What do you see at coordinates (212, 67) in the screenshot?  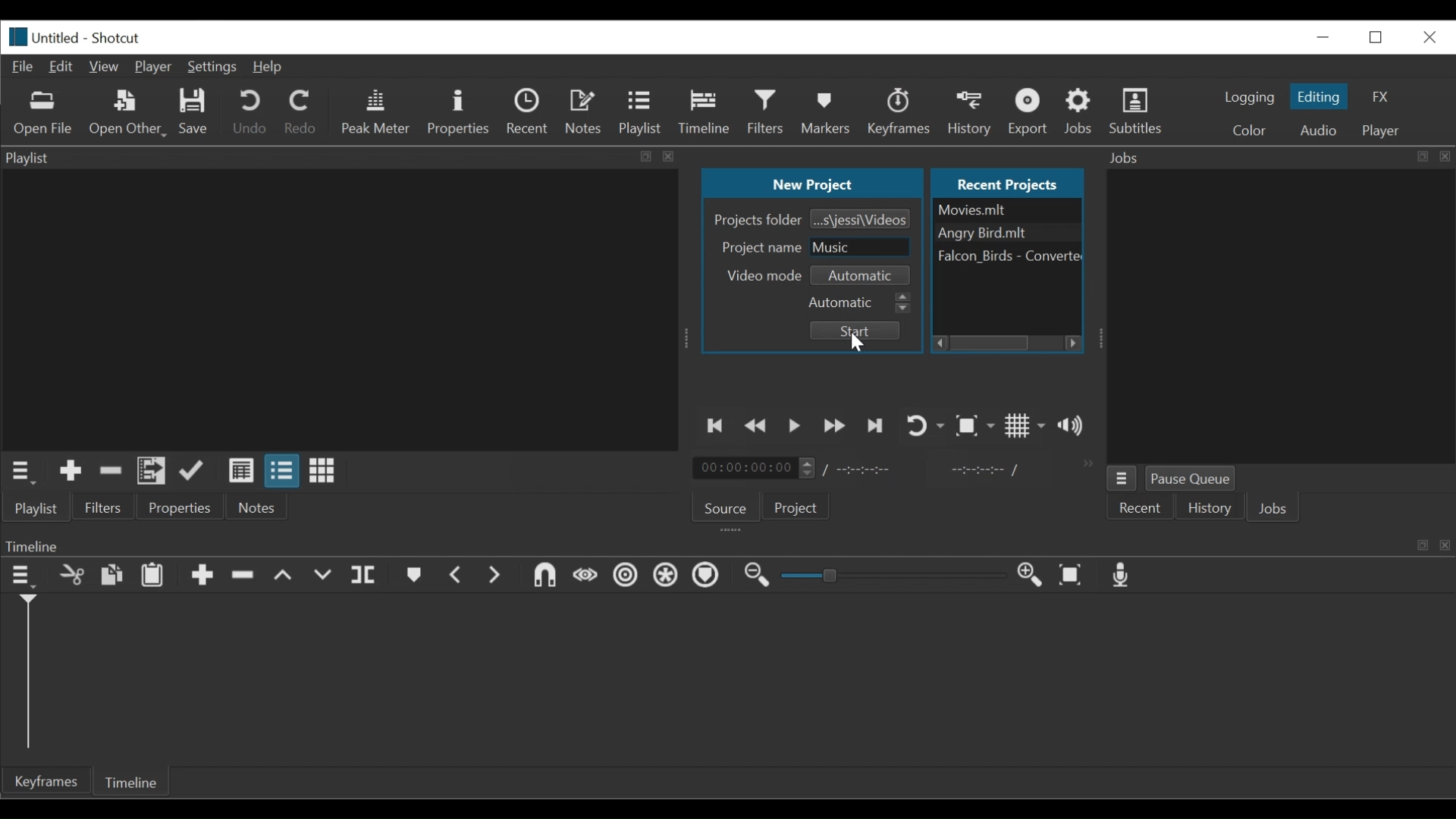 I see `Settings` at bounding box center [212, 67].